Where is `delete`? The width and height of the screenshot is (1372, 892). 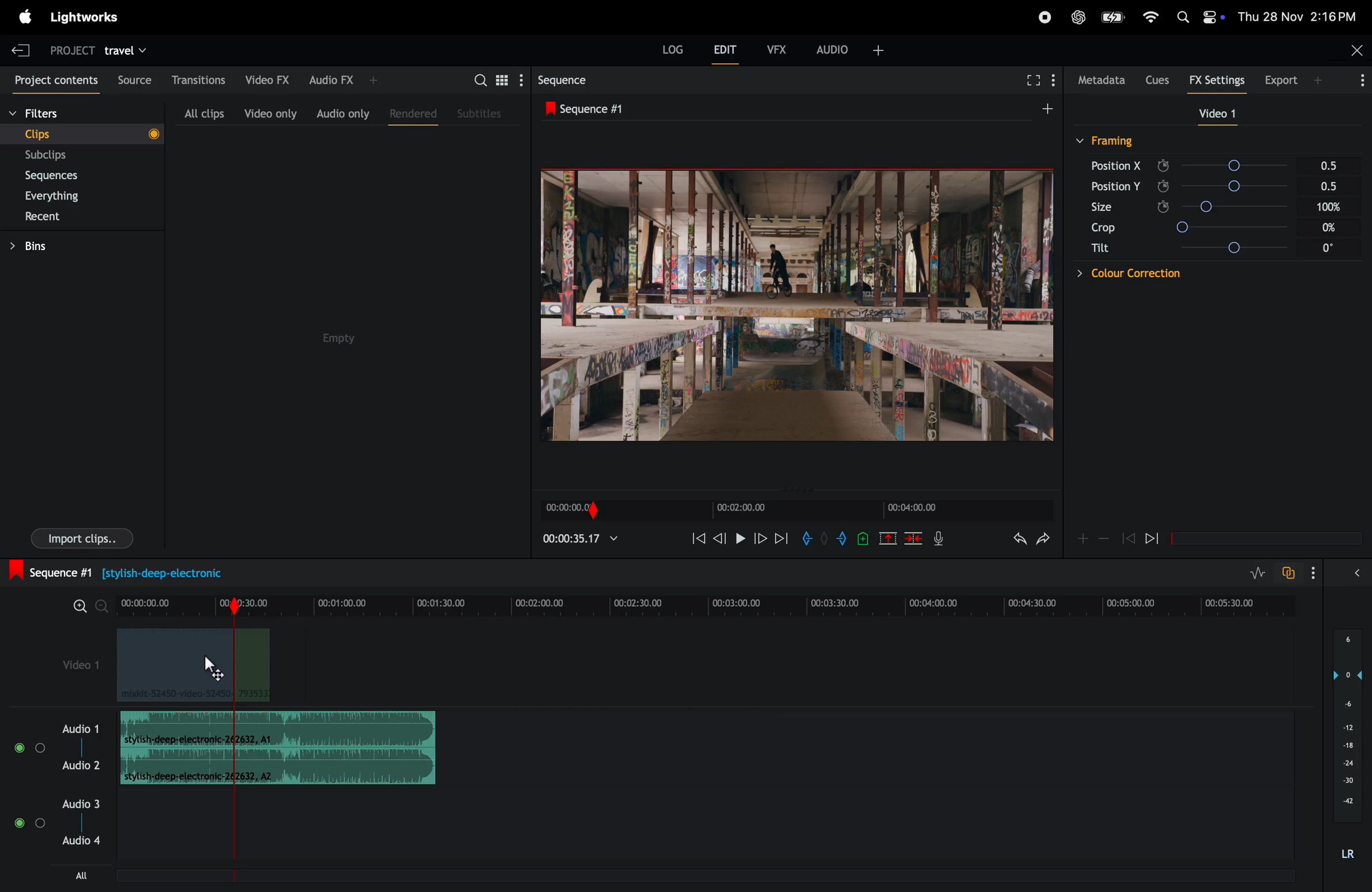 delete is located at coordinates (914, 539).